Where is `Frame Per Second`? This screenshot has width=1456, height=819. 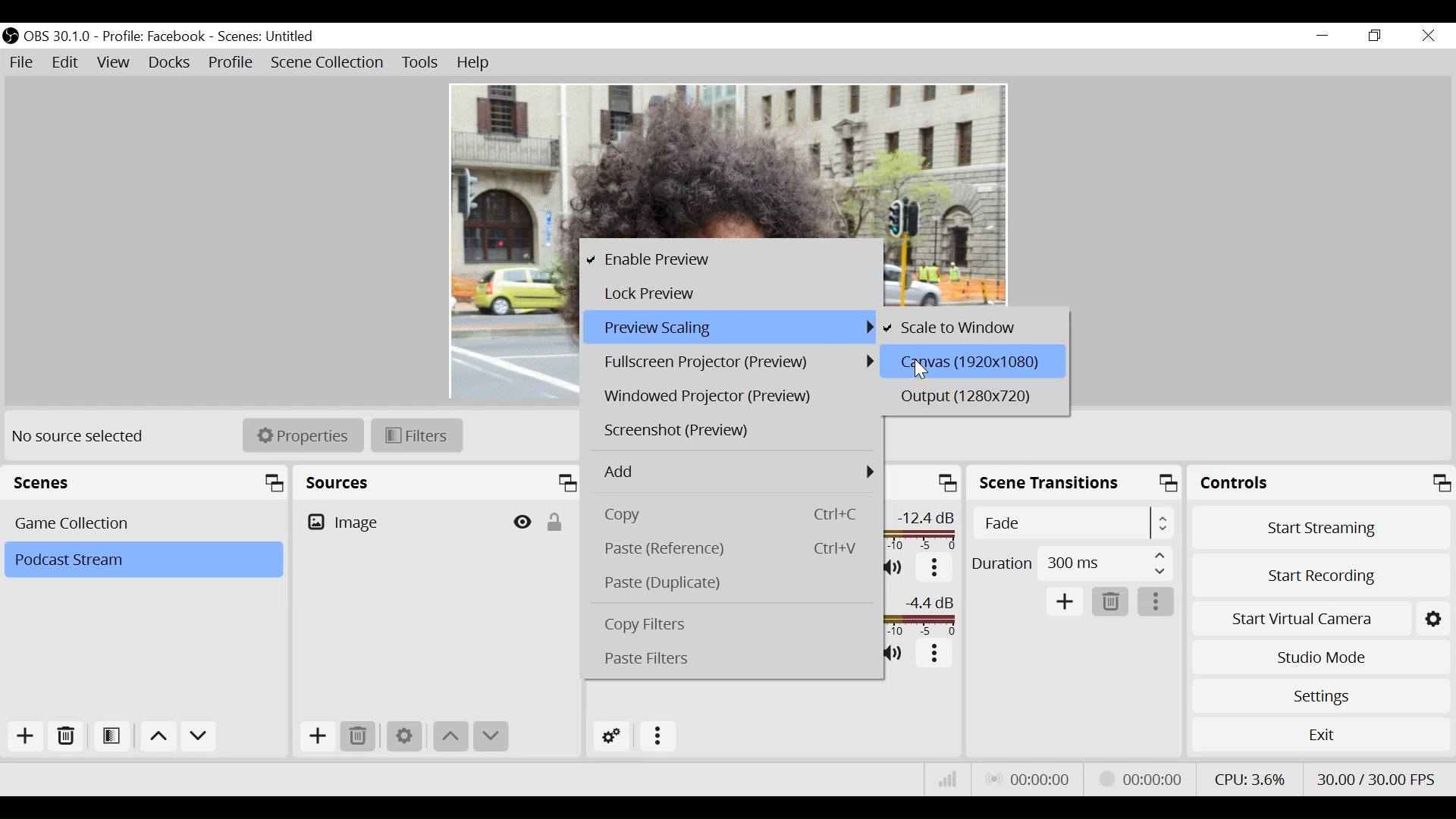
Frame Per Second is located at coordinates (1376, 780).